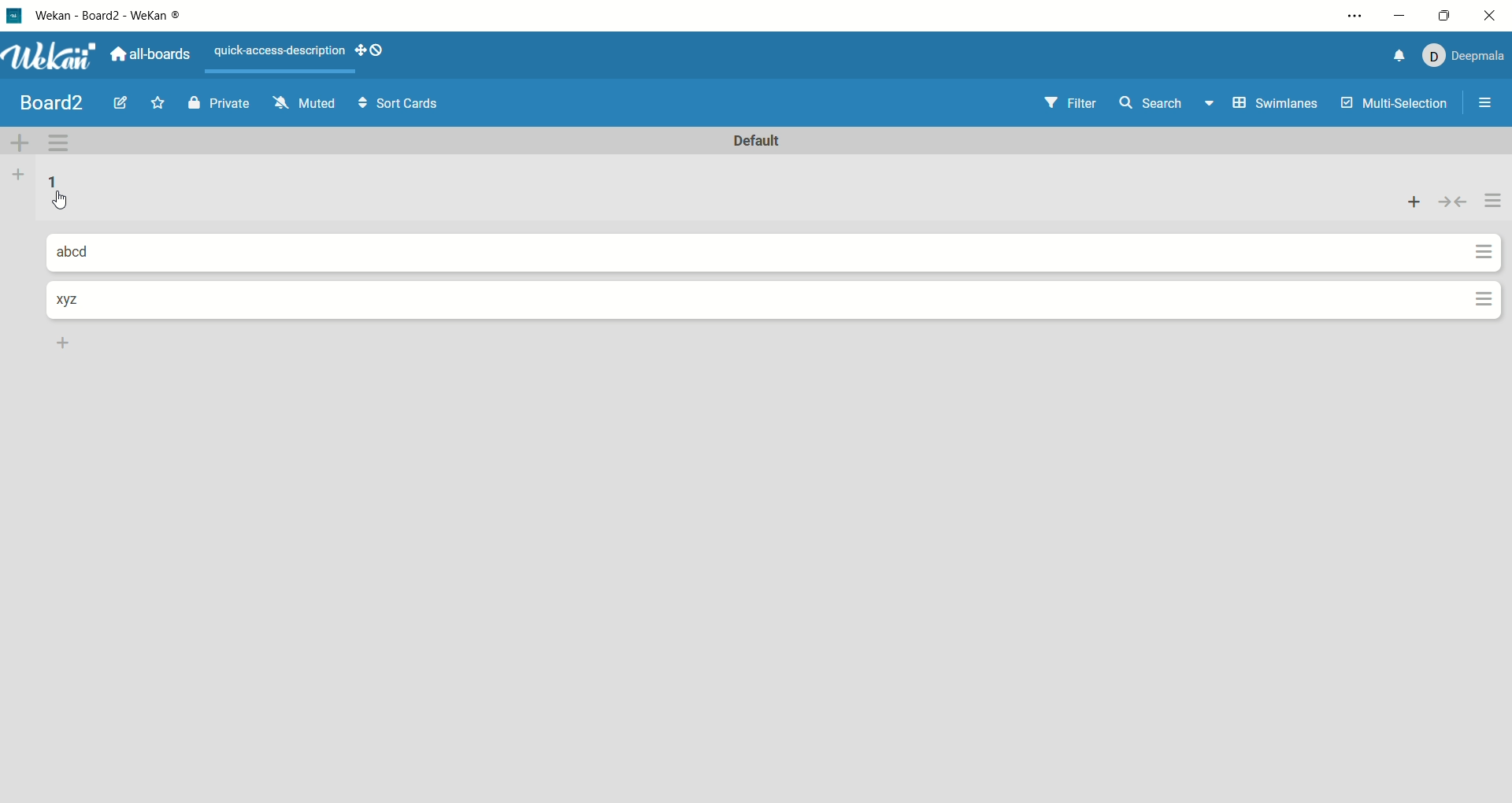  Describe the element at coordinates (17, 176) in the screenshot. I see `add list` at that location.